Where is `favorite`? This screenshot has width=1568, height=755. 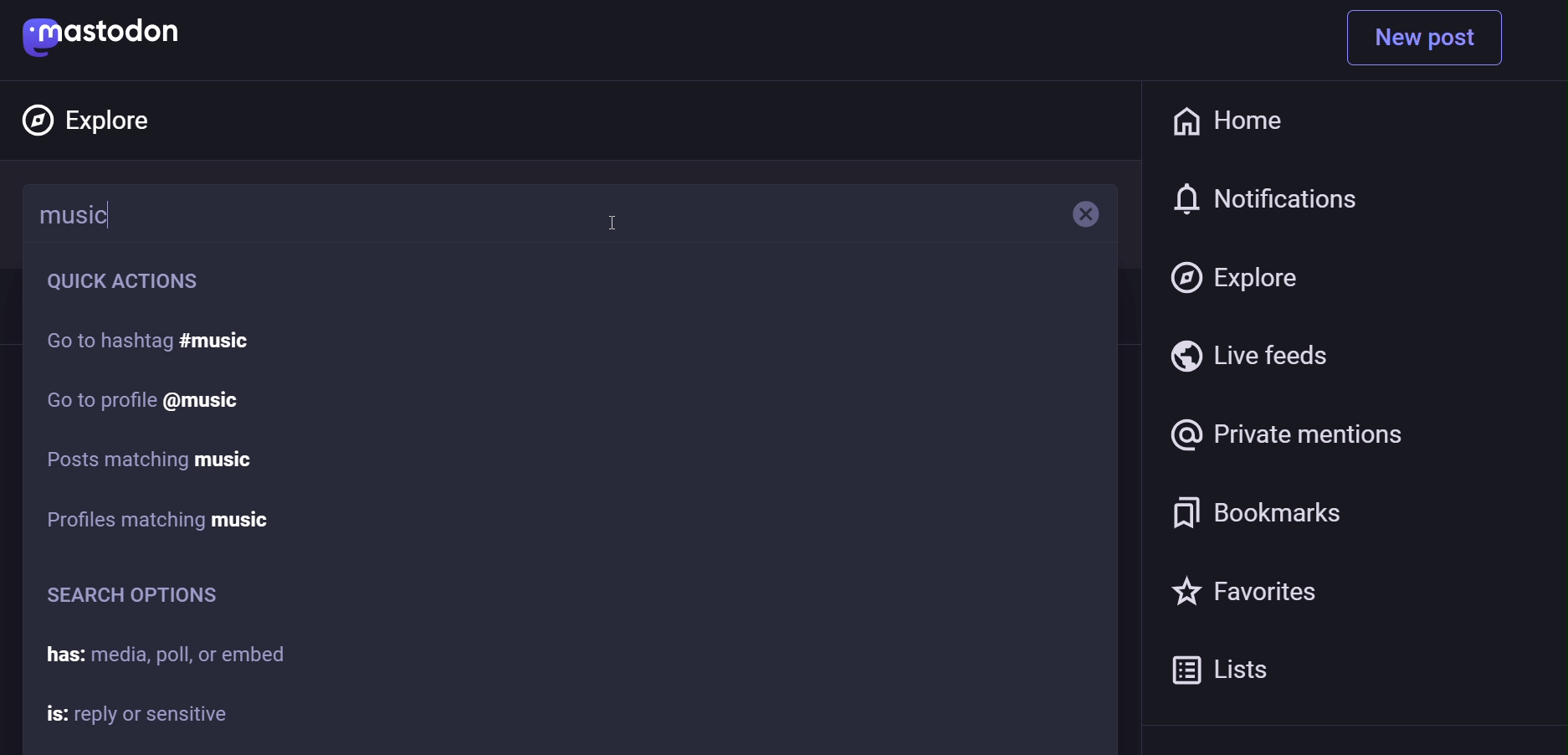 favorite is located at coordinates (1237, 593).